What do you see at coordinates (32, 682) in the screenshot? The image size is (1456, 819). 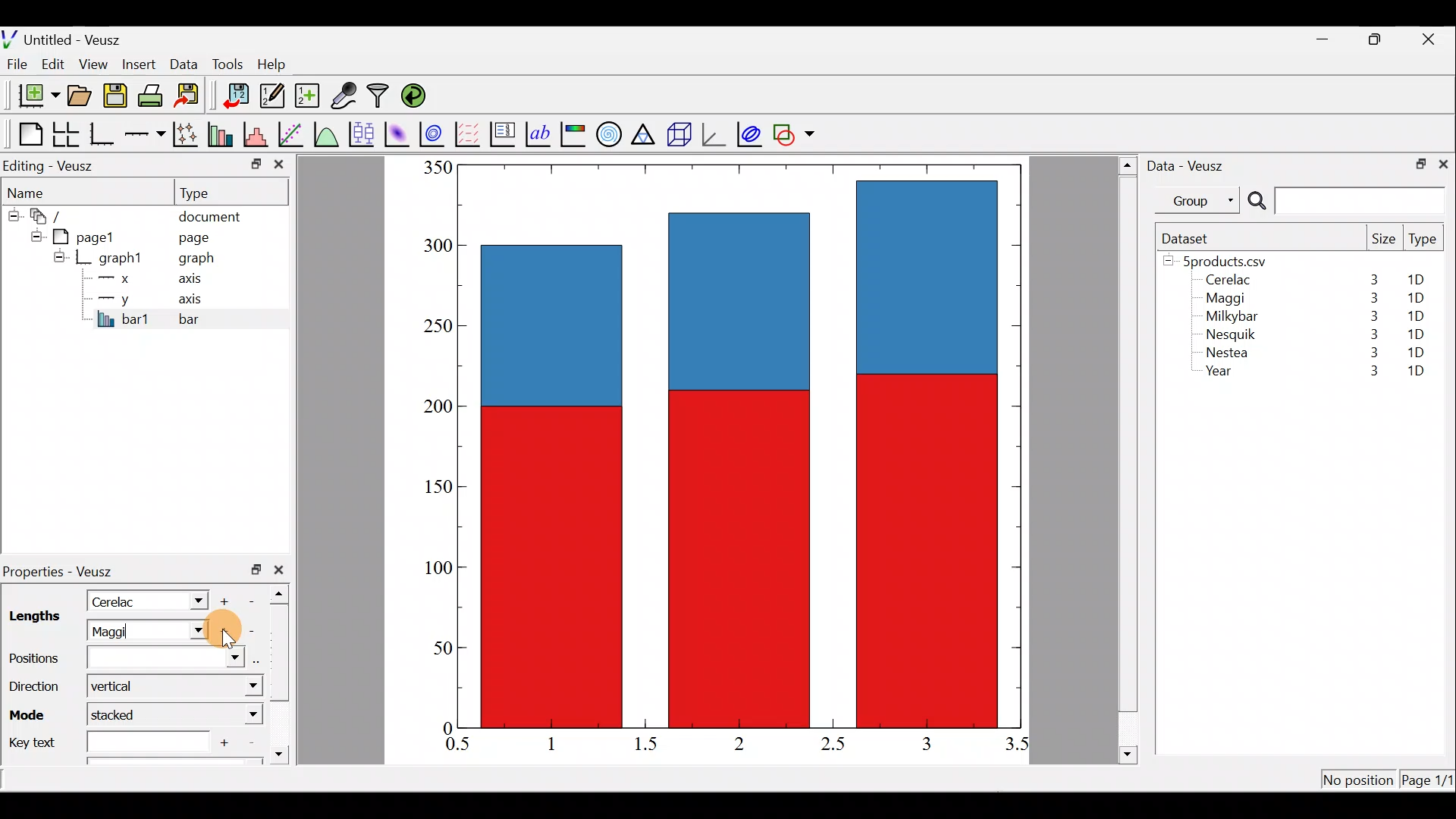 I see `Direction` at bounding box center [32, 682].